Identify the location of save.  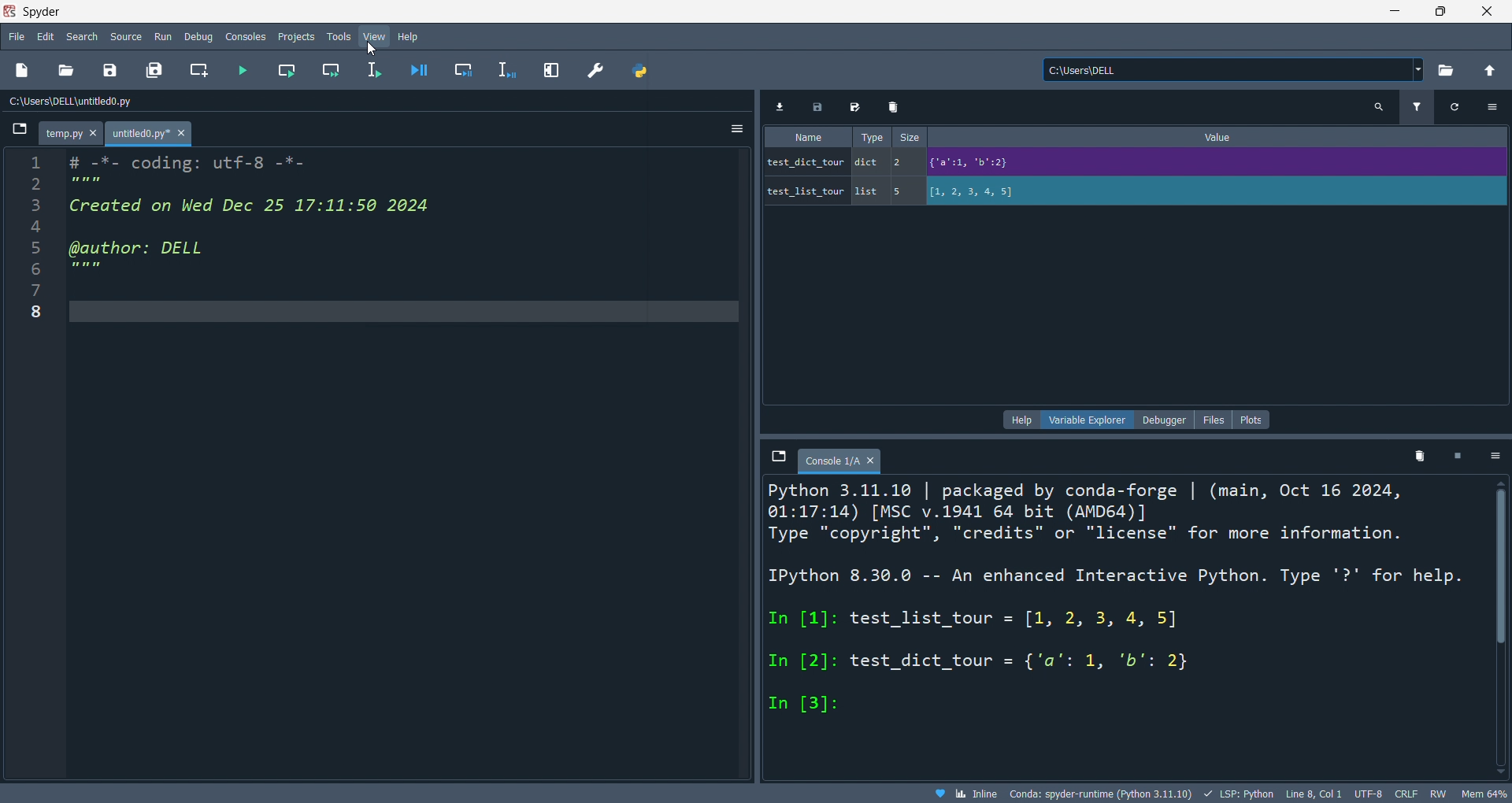
(107, 72).